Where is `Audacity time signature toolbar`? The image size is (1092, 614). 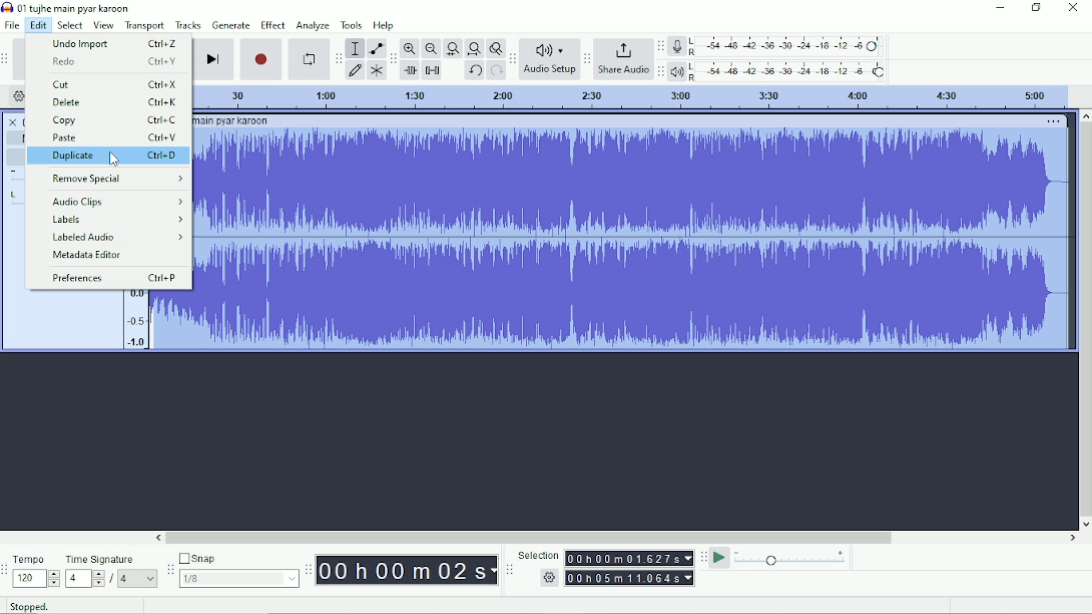
Audacity time signature toolbar is located at coordinates (7, 570).